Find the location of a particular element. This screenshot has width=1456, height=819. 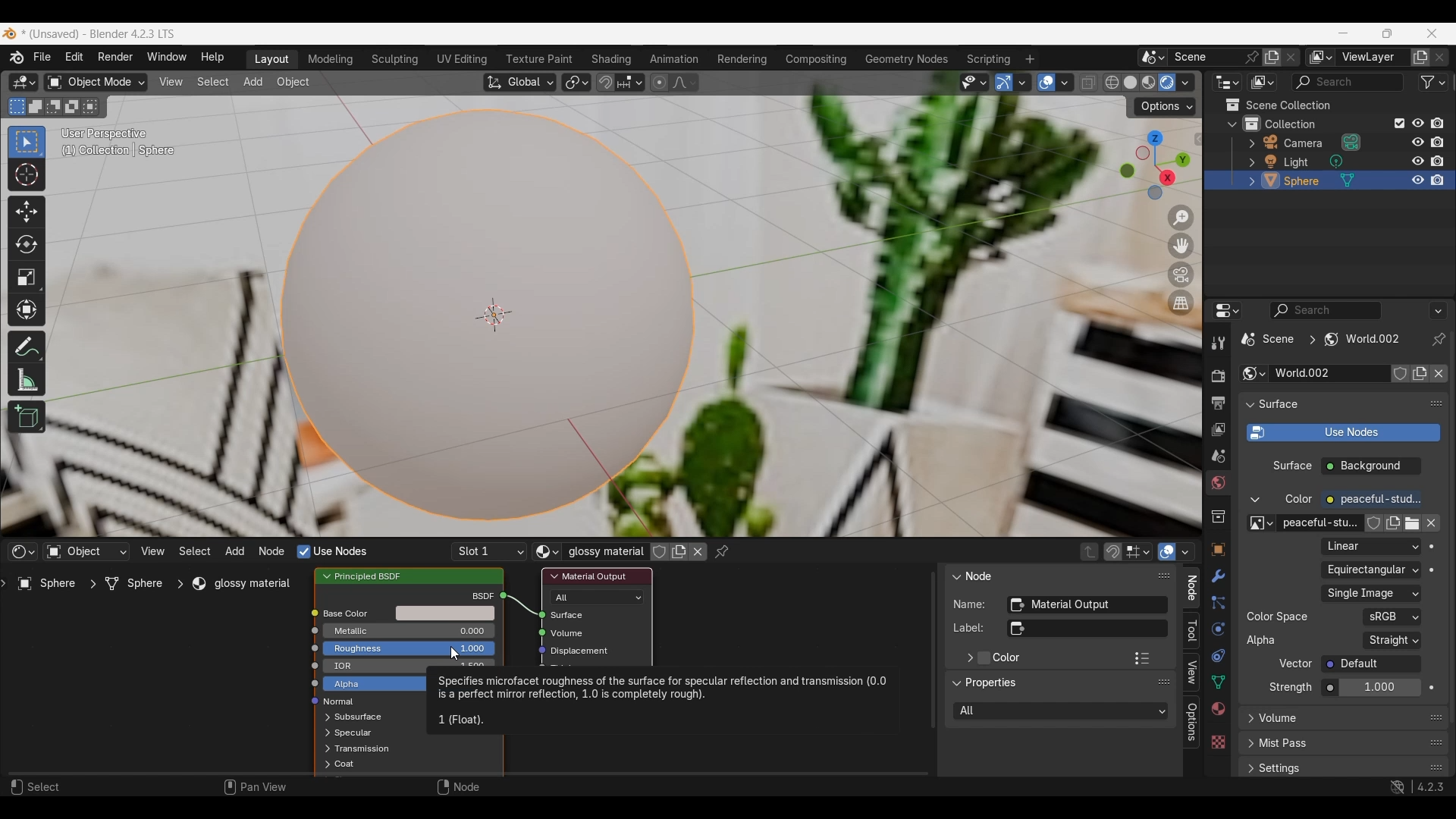

Base color options is located at coordinates (445, 613).